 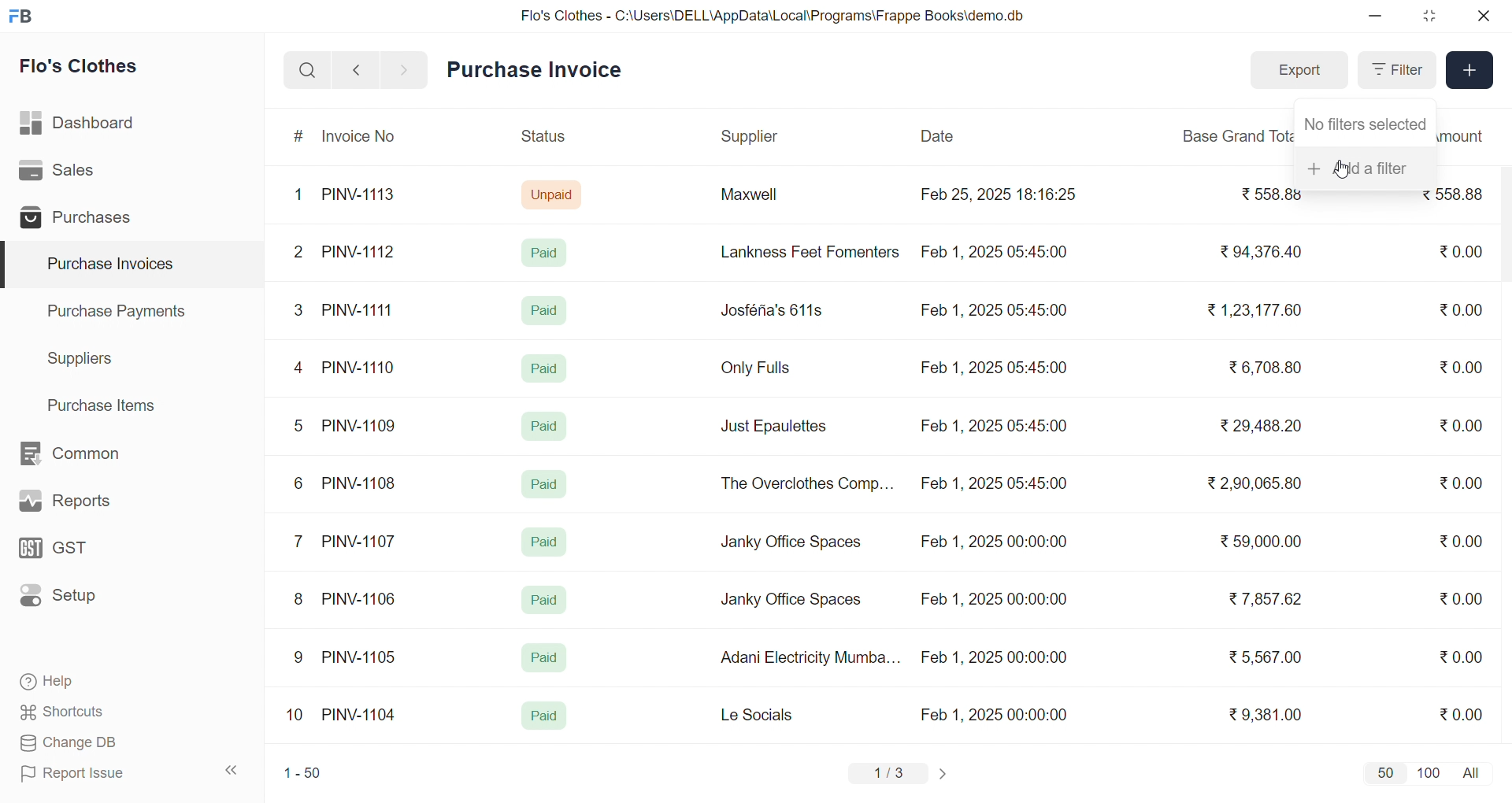 What do you see at coordinates (360, 483) in the screenshot?
I see `PINV-1108` at bounding box center [360, 483].